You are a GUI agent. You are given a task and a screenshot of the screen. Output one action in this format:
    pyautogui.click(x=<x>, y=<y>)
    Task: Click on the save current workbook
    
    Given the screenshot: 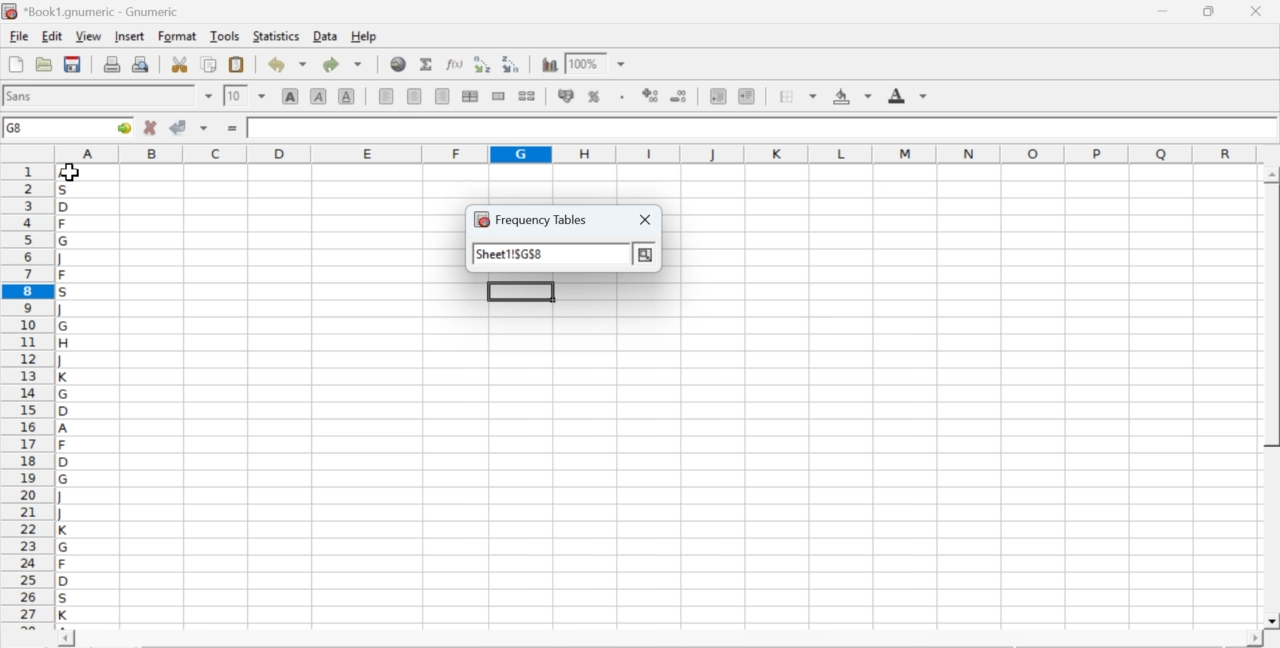 What is the action you would take?
    pyautogui.click(x=73, y=64)
    